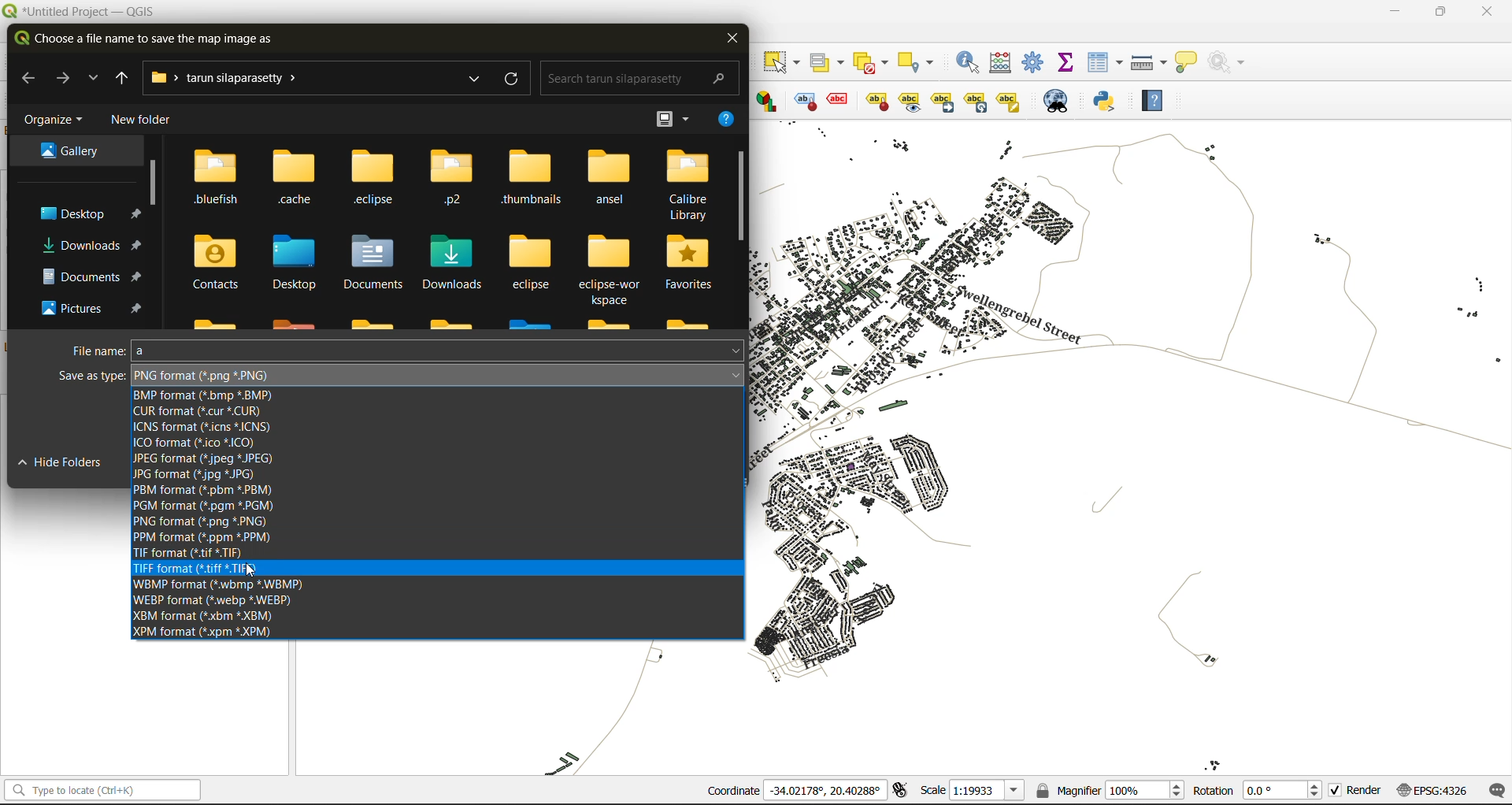 The width and height of the screenshot is (1512, 805). What do you see at coordinates (472, 80) in the screenshot?
I see `explore` at bounding box center [472, 80].